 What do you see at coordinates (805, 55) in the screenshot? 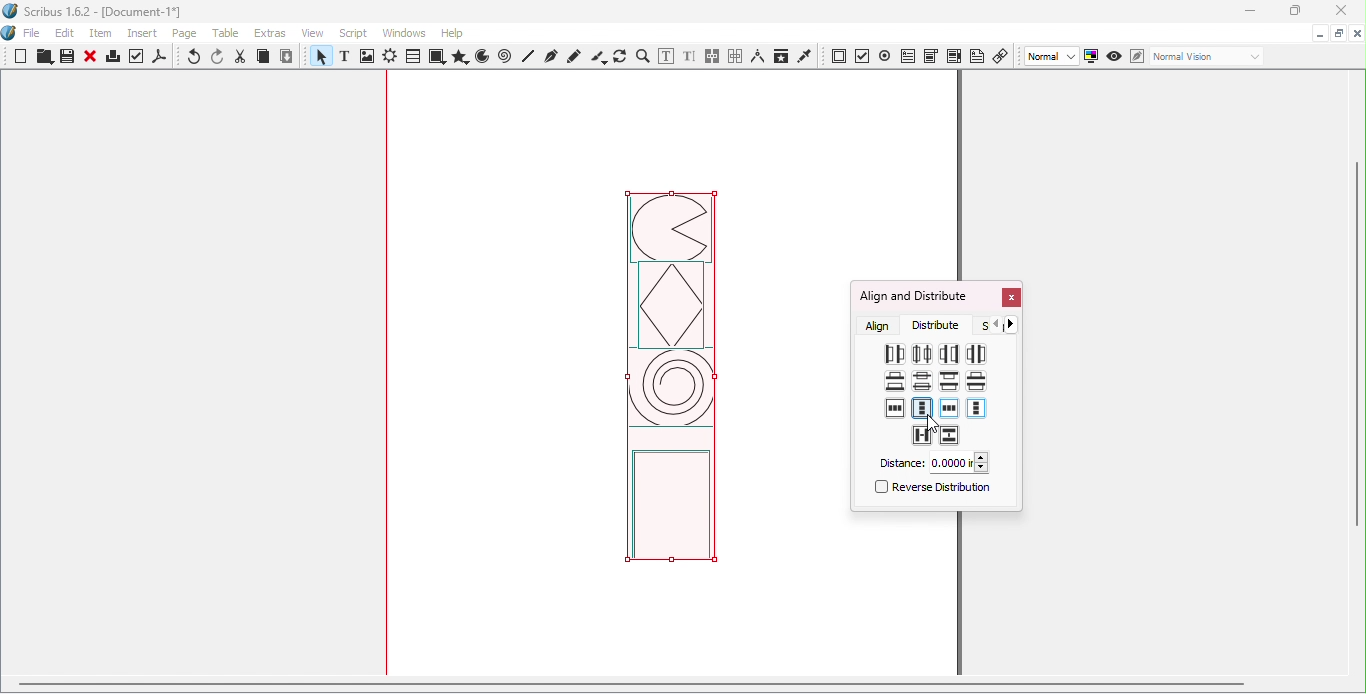
I see `Eye dropper` at bounding box center [805, 55].